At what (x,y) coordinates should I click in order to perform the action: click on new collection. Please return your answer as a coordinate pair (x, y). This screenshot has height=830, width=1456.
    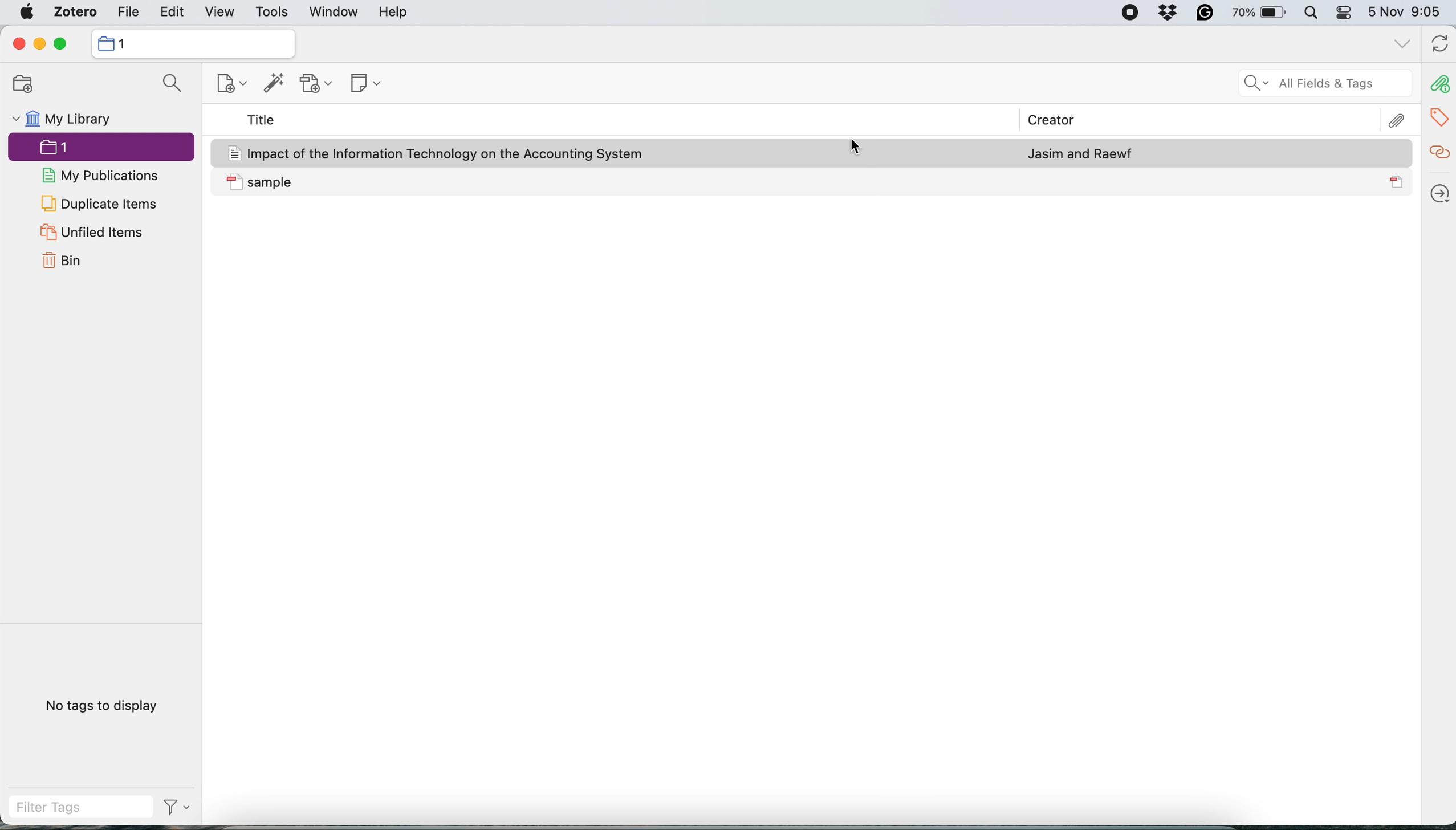
    Looking at the image, I should click on (192, 43).